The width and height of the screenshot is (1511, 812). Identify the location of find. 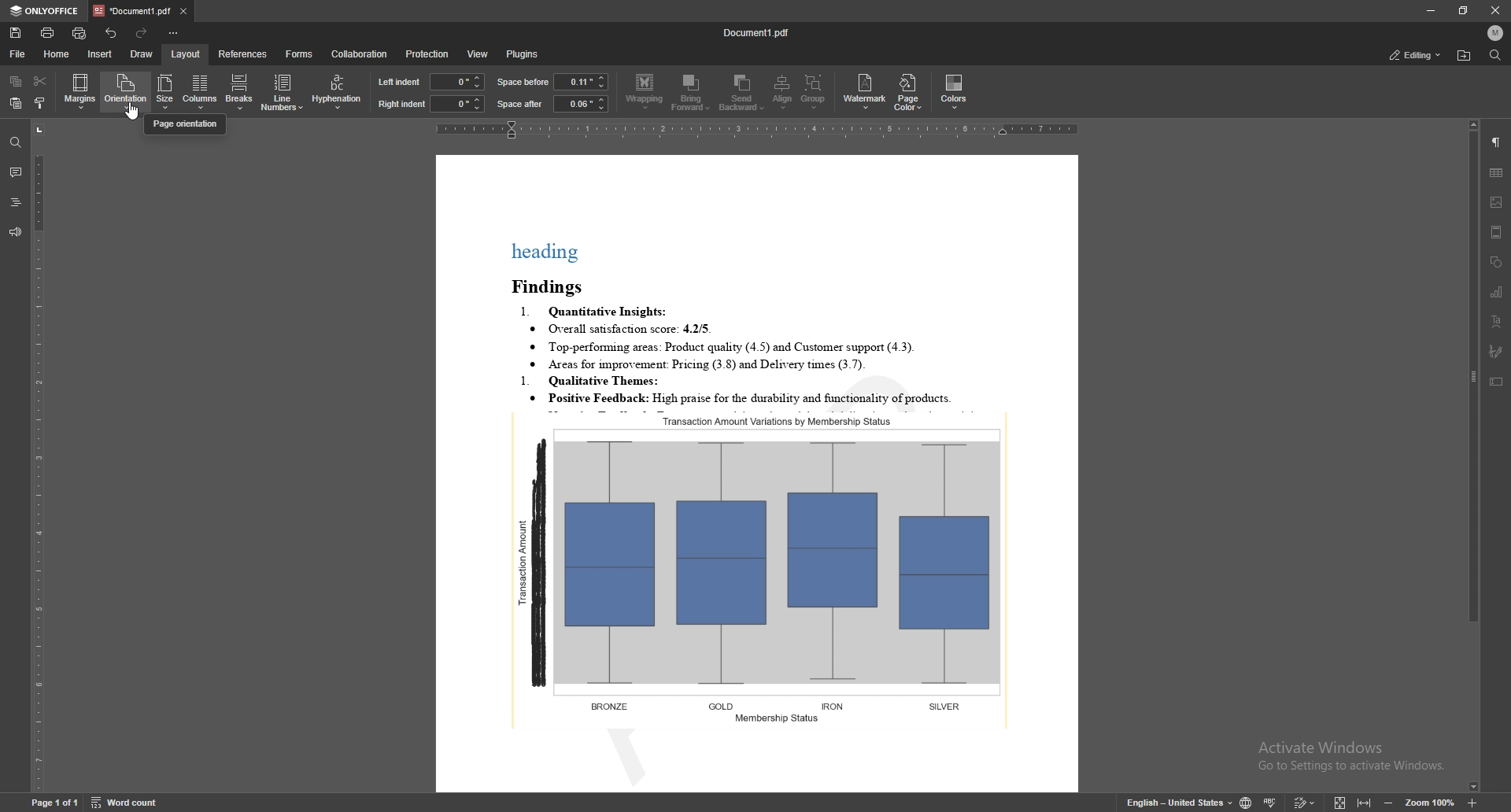
(1496, 55).